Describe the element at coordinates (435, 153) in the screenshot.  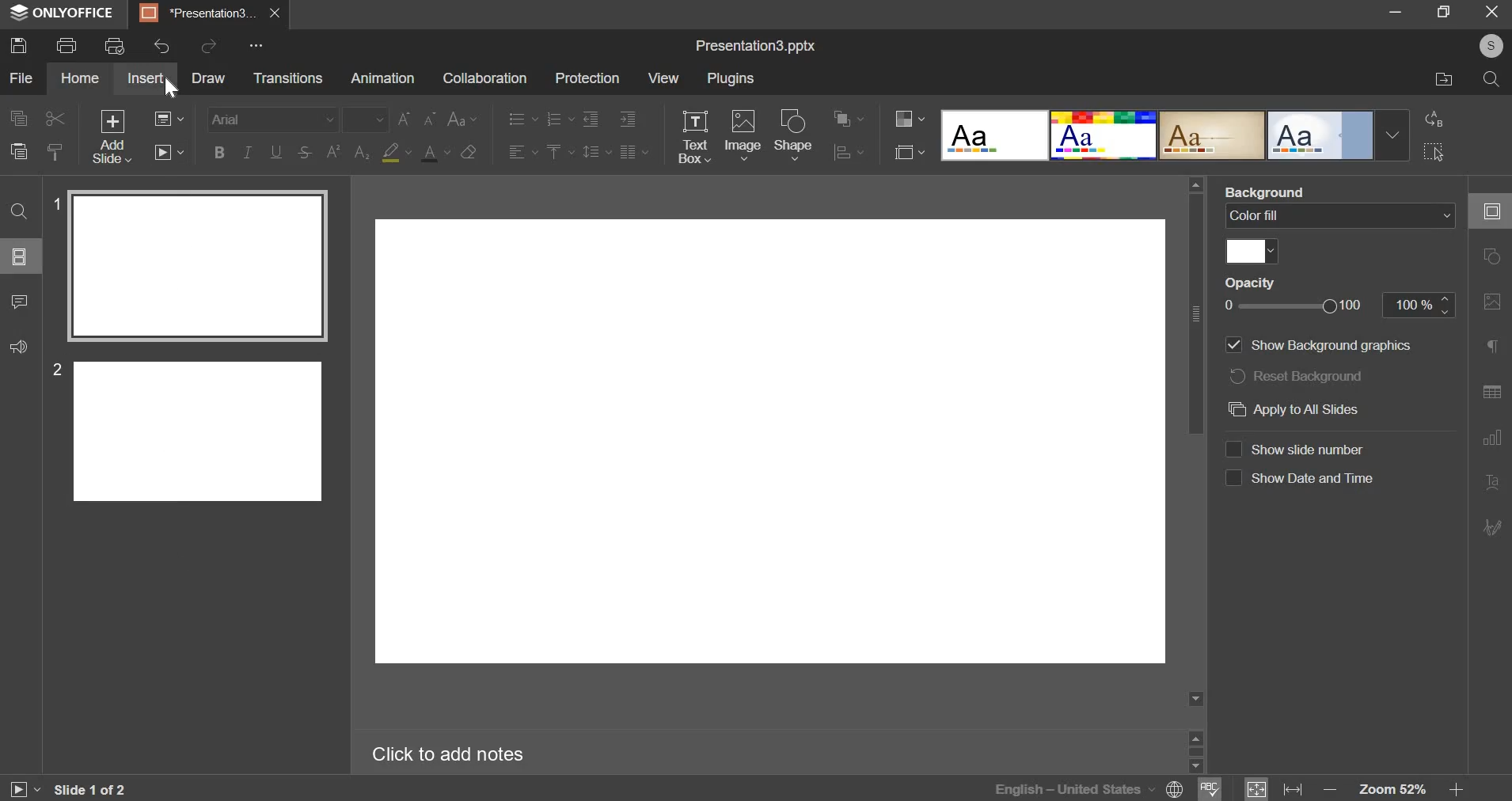
I see `font color` at that location.